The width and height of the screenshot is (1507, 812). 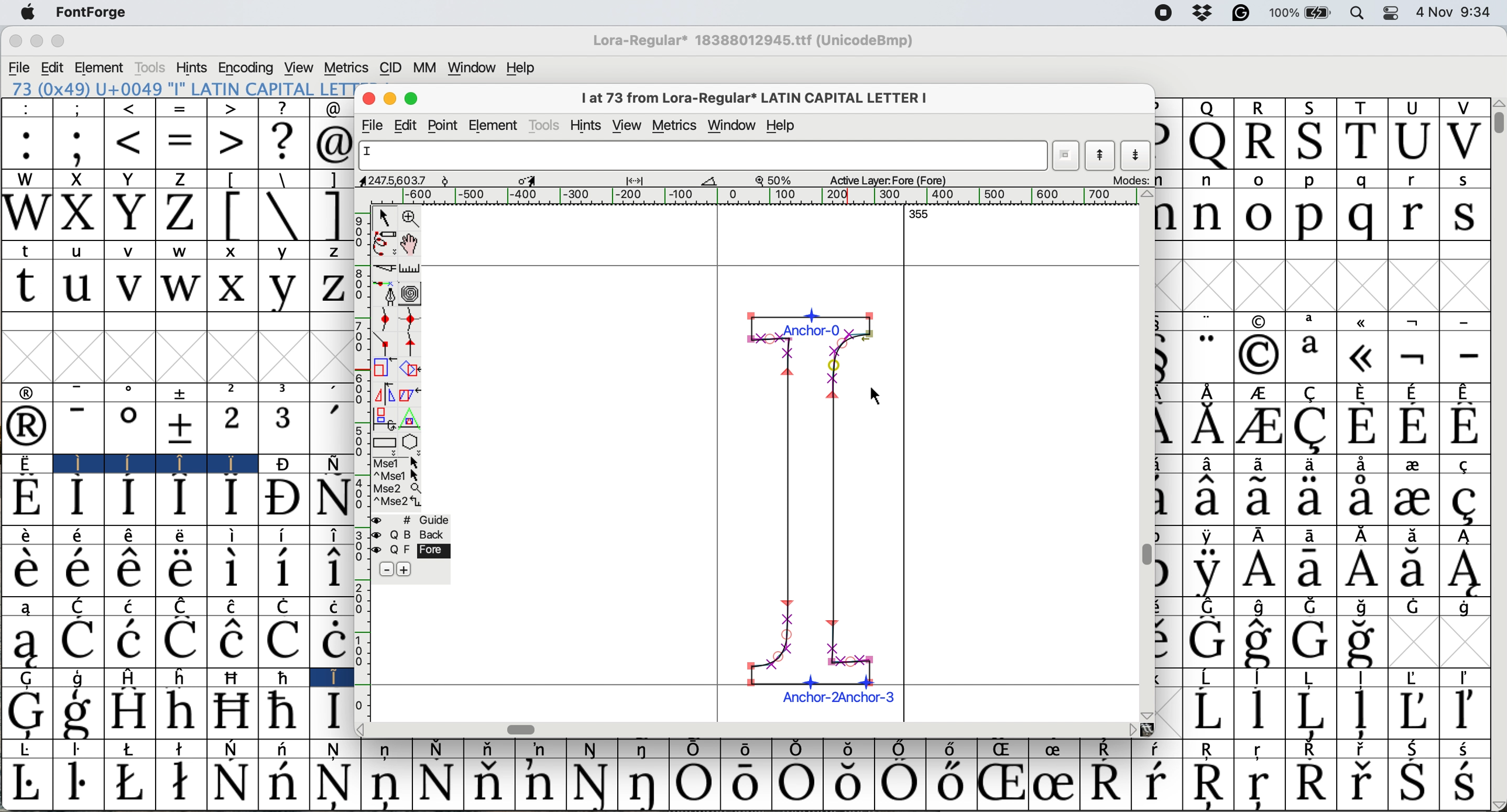 What do you see at coordinates (1260, 108) in the screenshot?
I see `R` at bounding box center [1260, 108].